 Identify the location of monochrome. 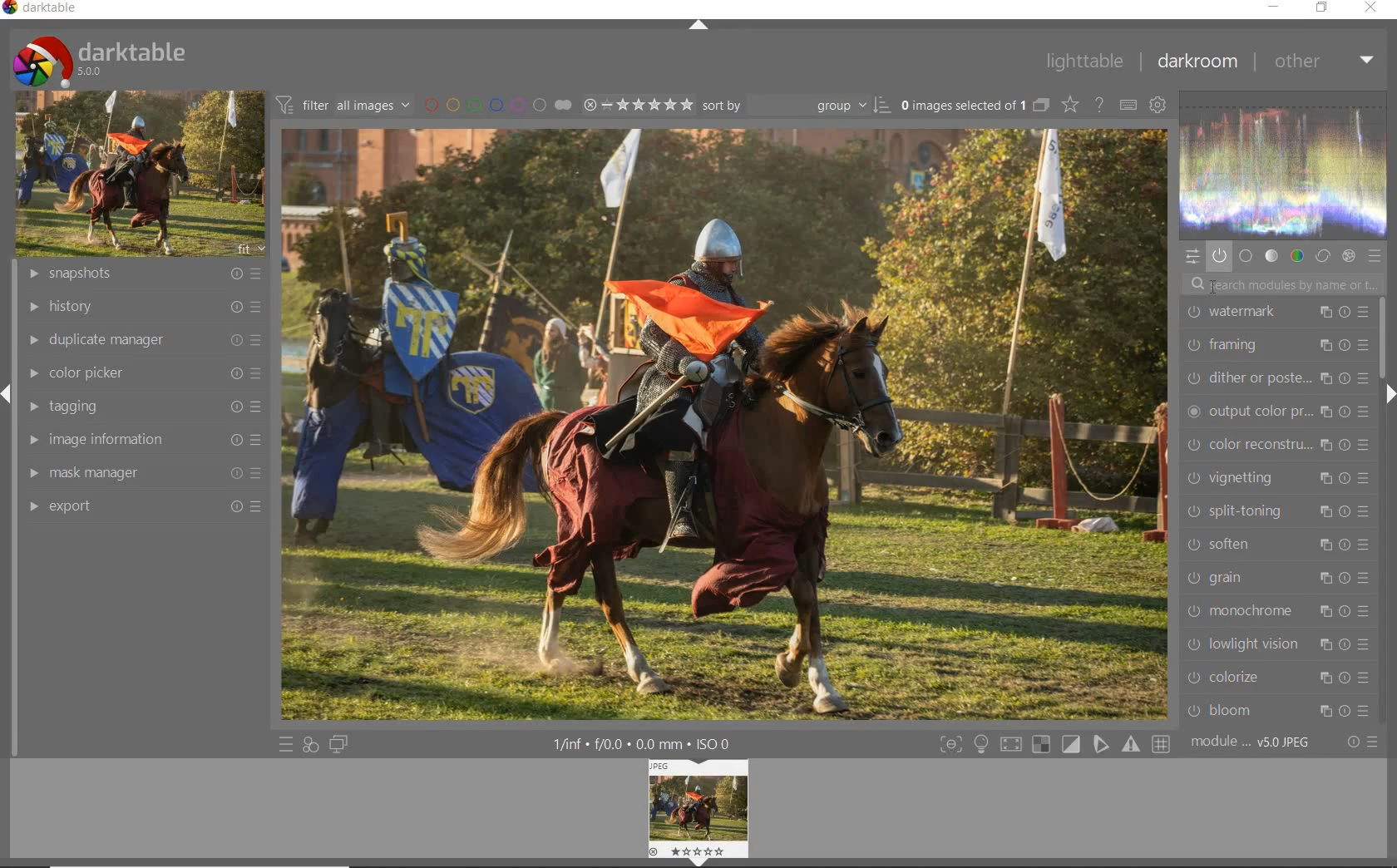
(1275, 613).